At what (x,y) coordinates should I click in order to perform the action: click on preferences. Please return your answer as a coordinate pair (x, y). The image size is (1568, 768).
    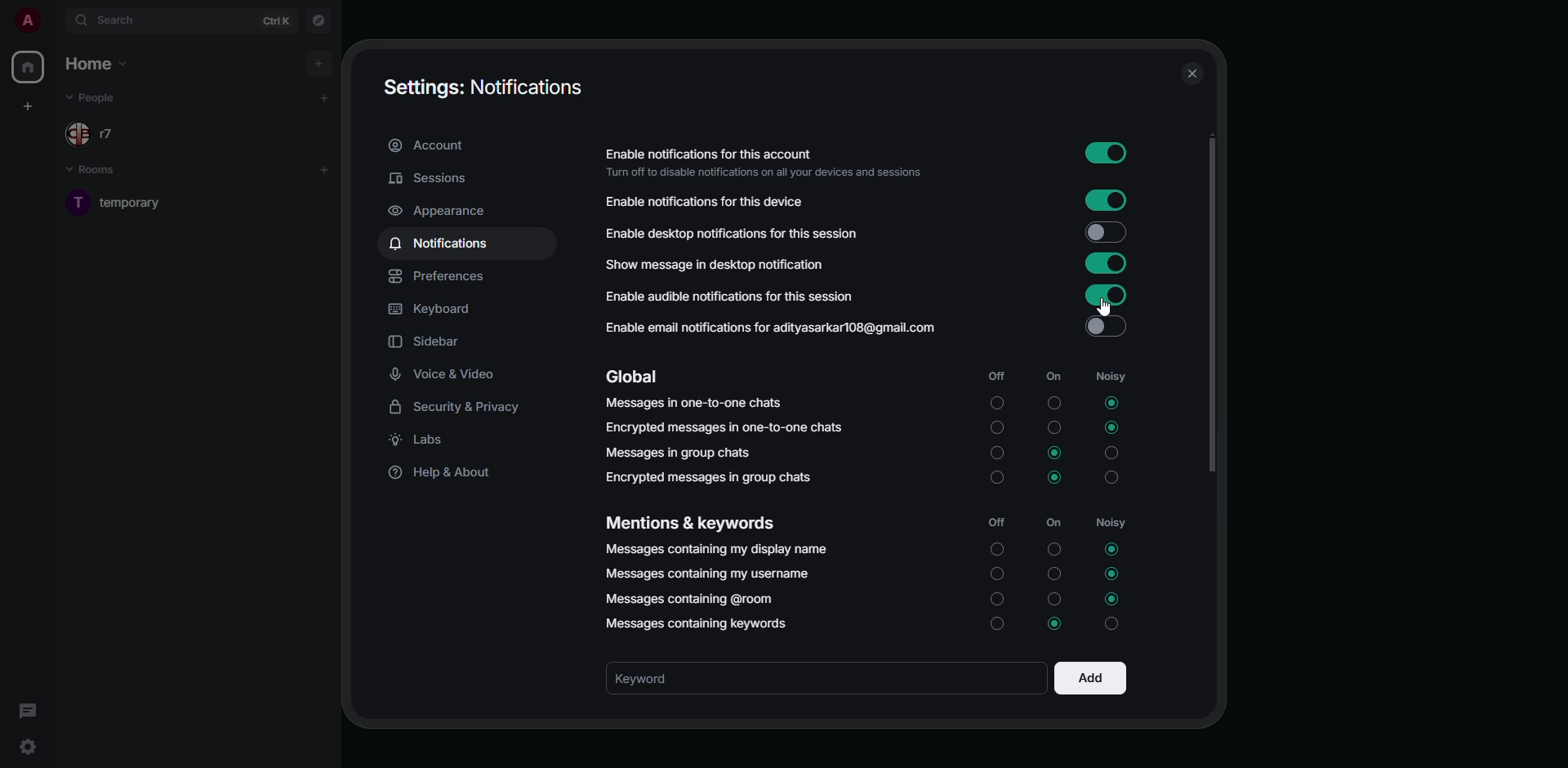
    Looking at the image, I should click on (439, 276).